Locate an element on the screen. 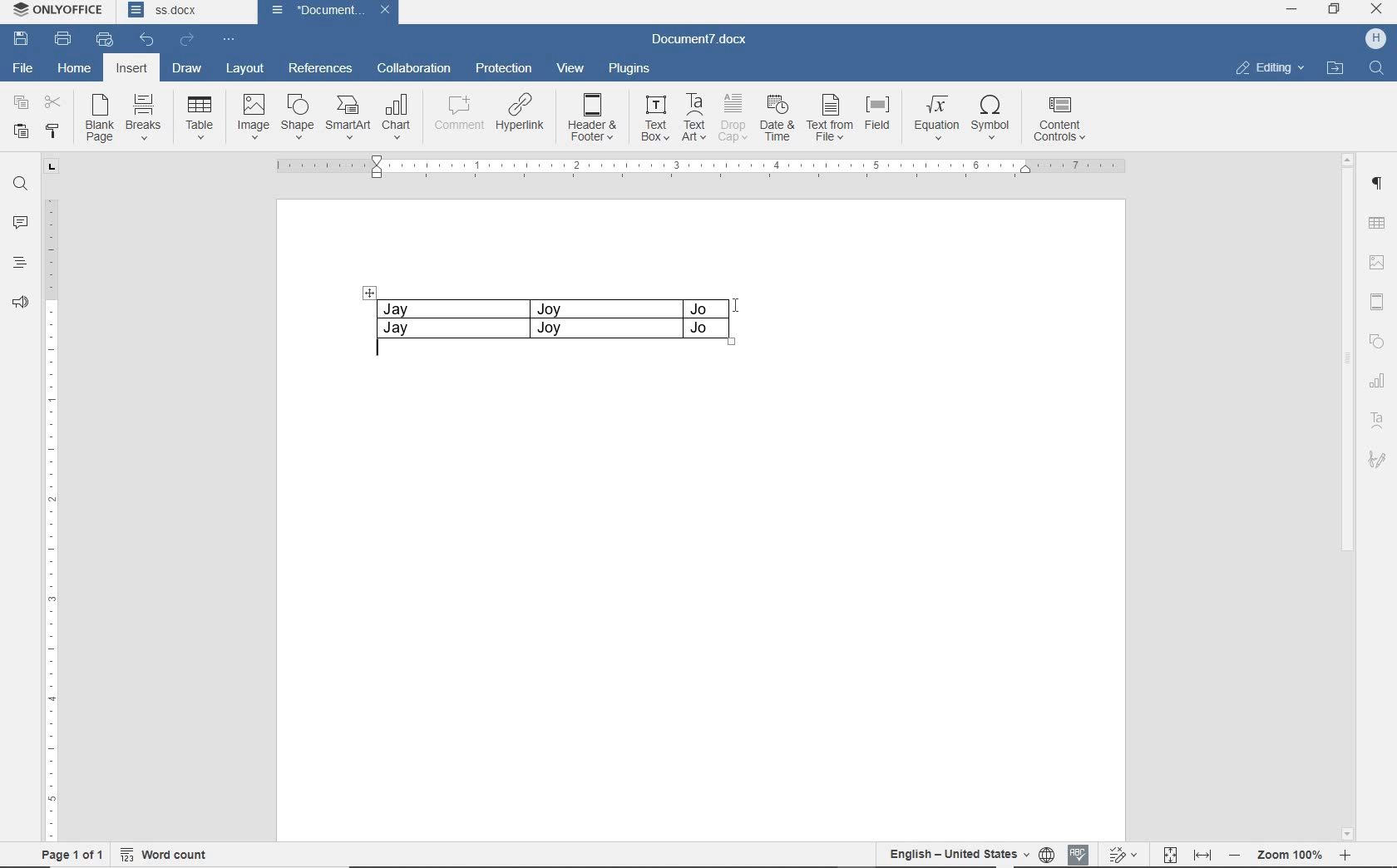 This screenshot has width=1397, height=868. REDO is located at coordinates (187, 40).